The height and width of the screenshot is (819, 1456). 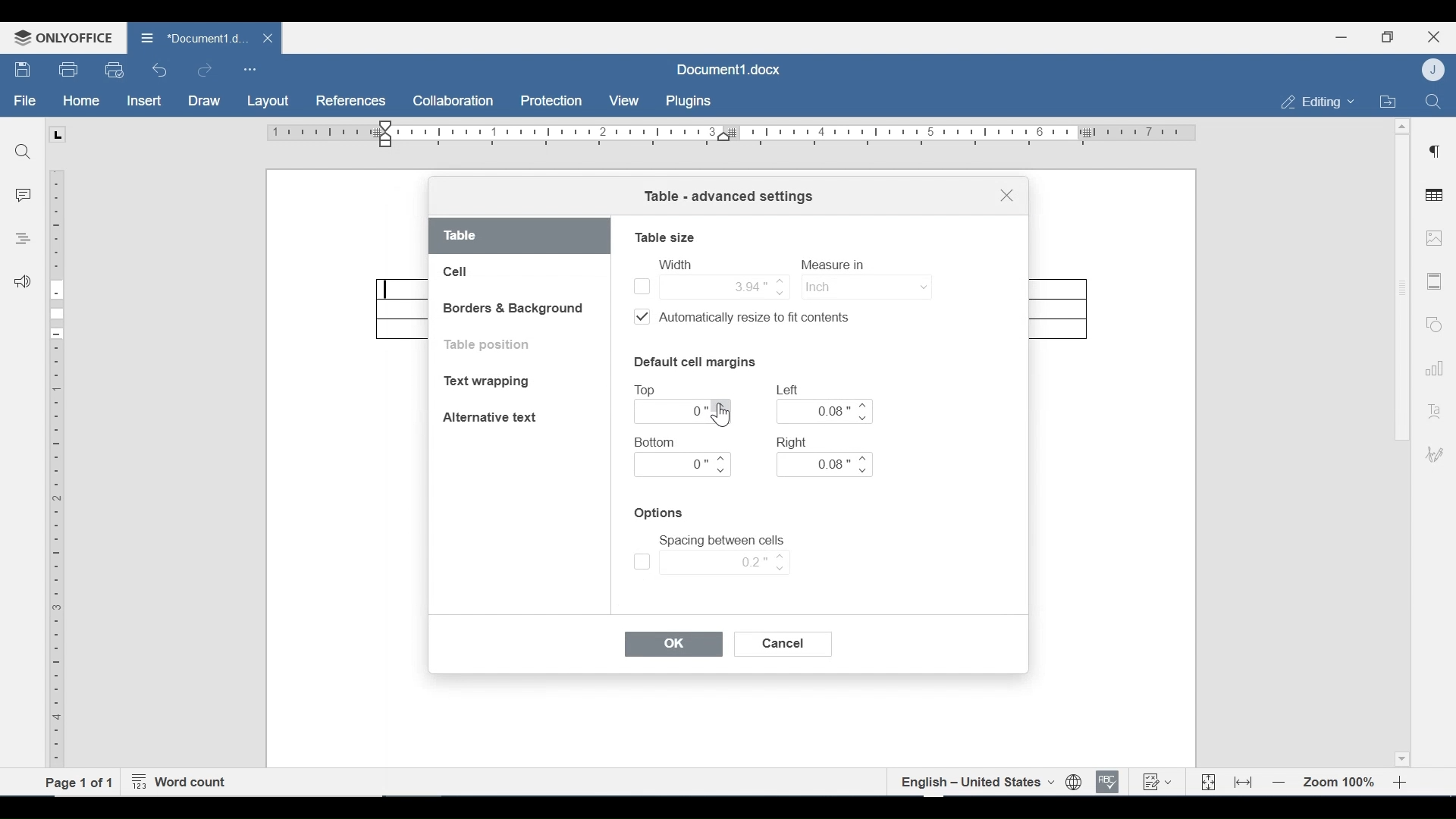 What do you see at coordinates (1156, 781) in the screenshot?
I see `Track Changes` at bounding box center [1156, 781].